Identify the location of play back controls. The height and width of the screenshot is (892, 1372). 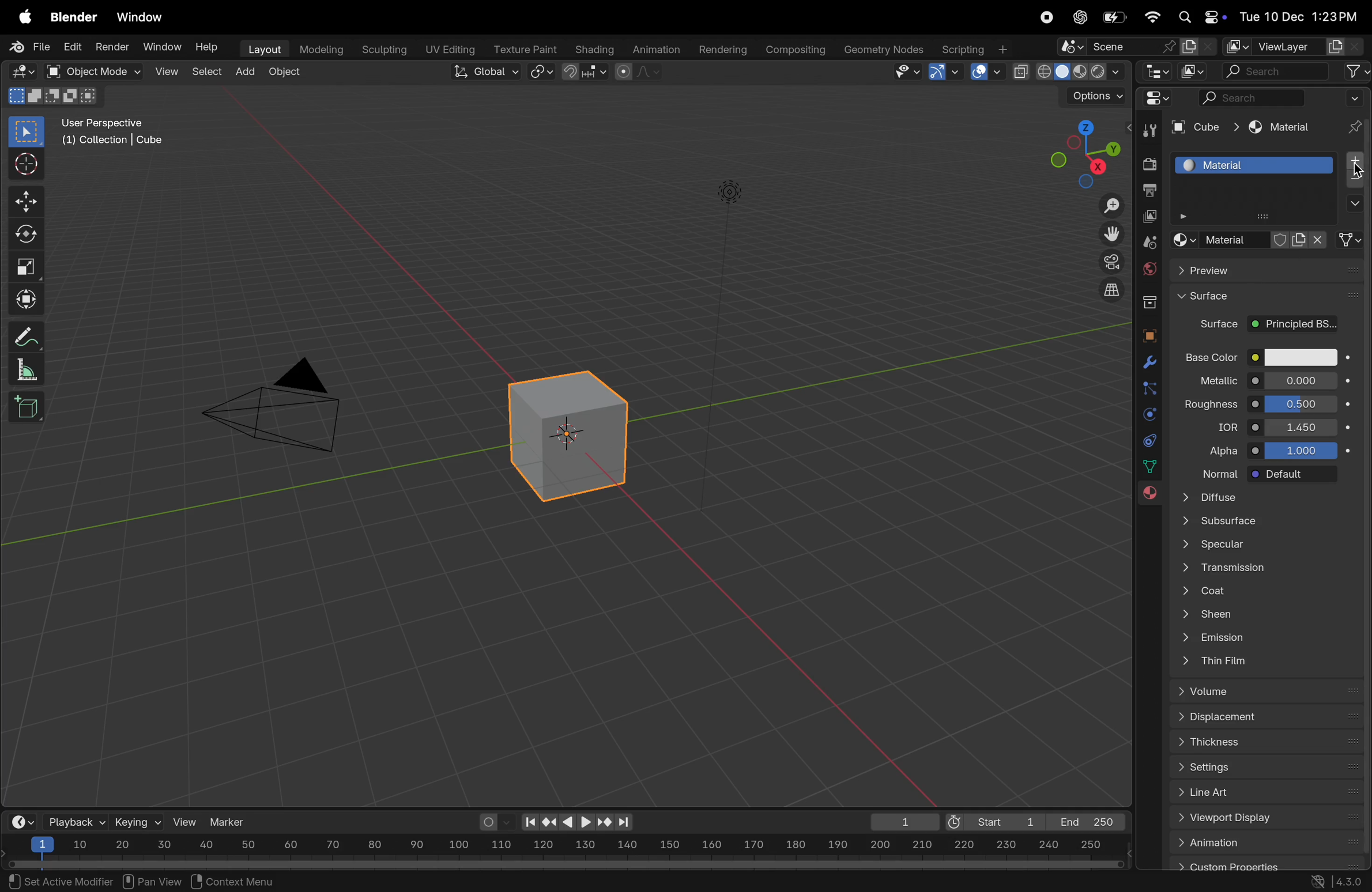
(578, 823).